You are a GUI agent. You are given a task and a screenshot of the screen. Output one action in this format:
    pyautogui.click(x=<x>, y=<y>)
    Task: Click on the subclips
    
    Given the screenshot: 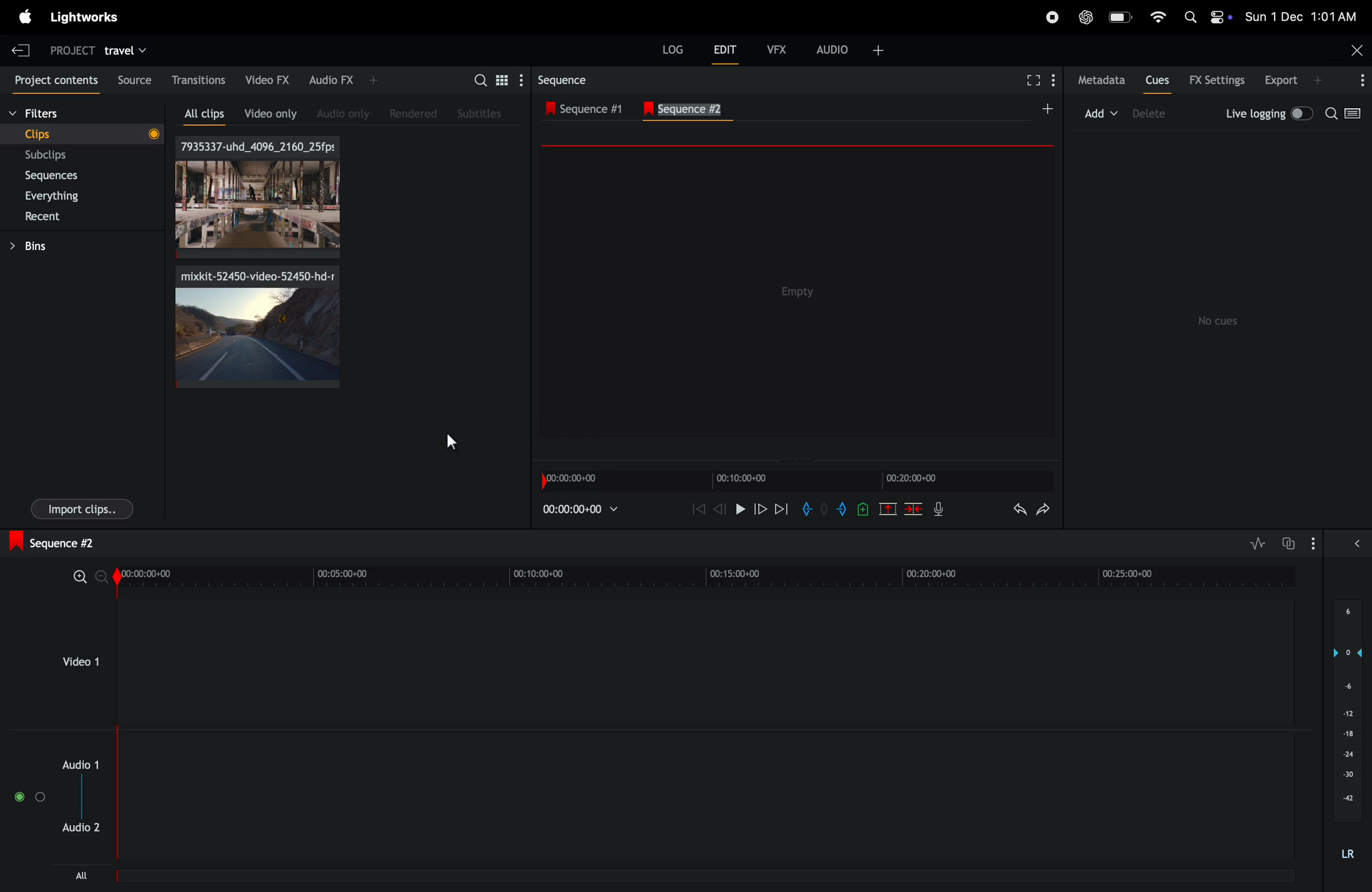 What is the action you would take?
    pyautogui.click(x=76, y=156)
    